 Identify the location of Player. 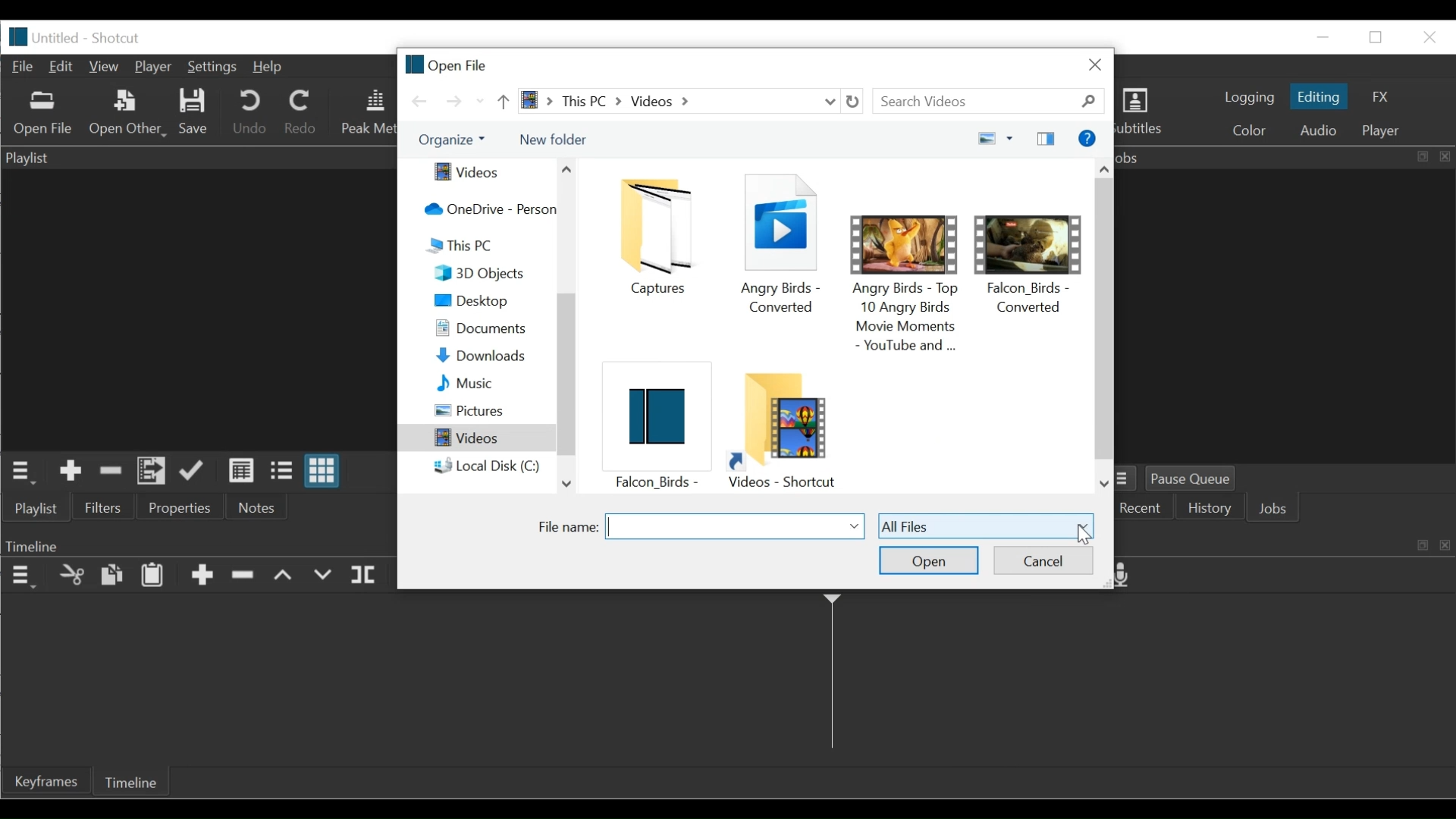
(153, 67).